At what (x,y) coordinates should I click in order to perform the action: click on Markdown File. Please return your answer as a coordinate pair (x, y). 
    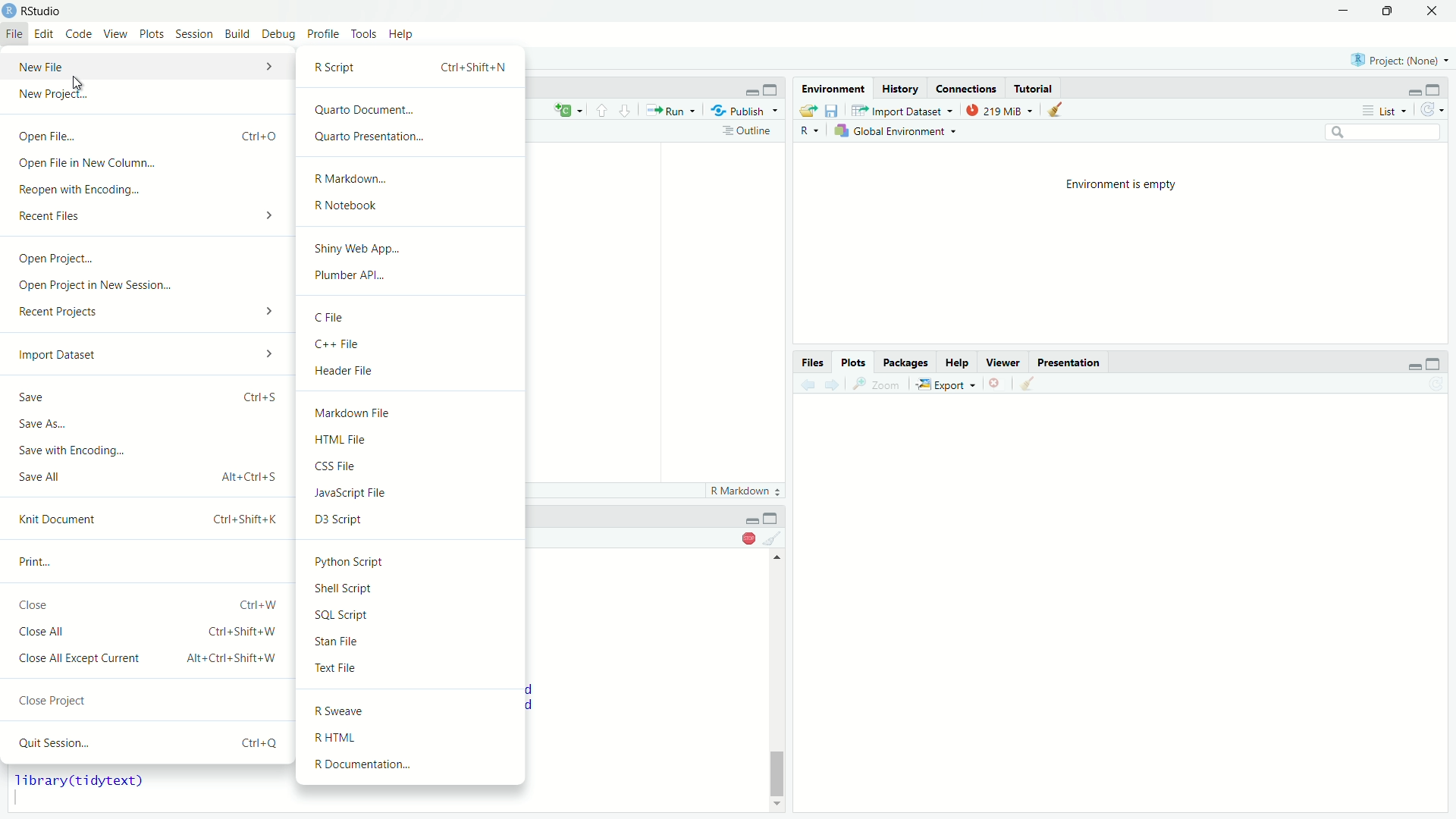
    Looking at the image, I should click on (414, 411).